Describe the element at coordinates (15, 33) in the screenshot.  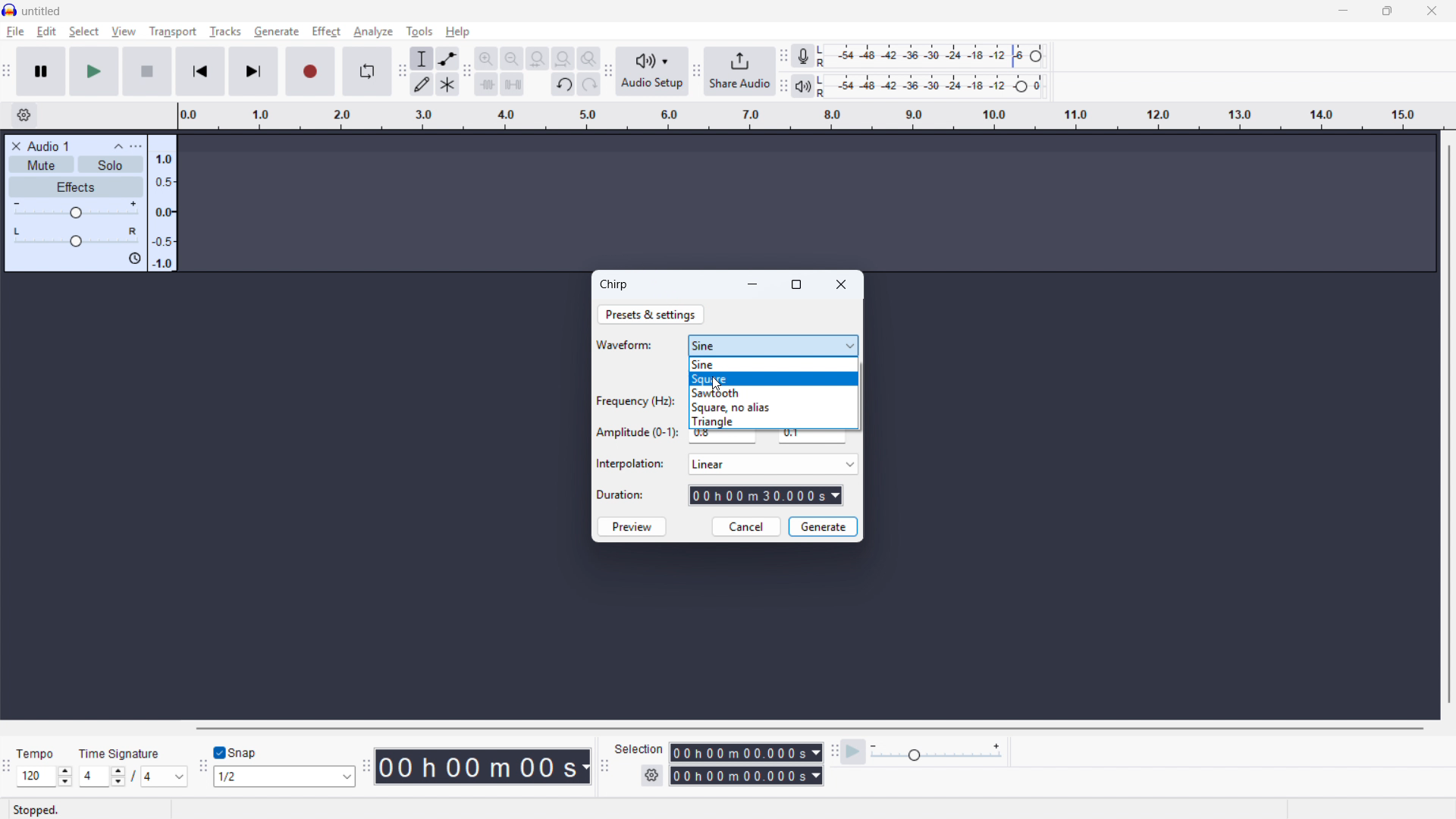
I see `File ` at that location.